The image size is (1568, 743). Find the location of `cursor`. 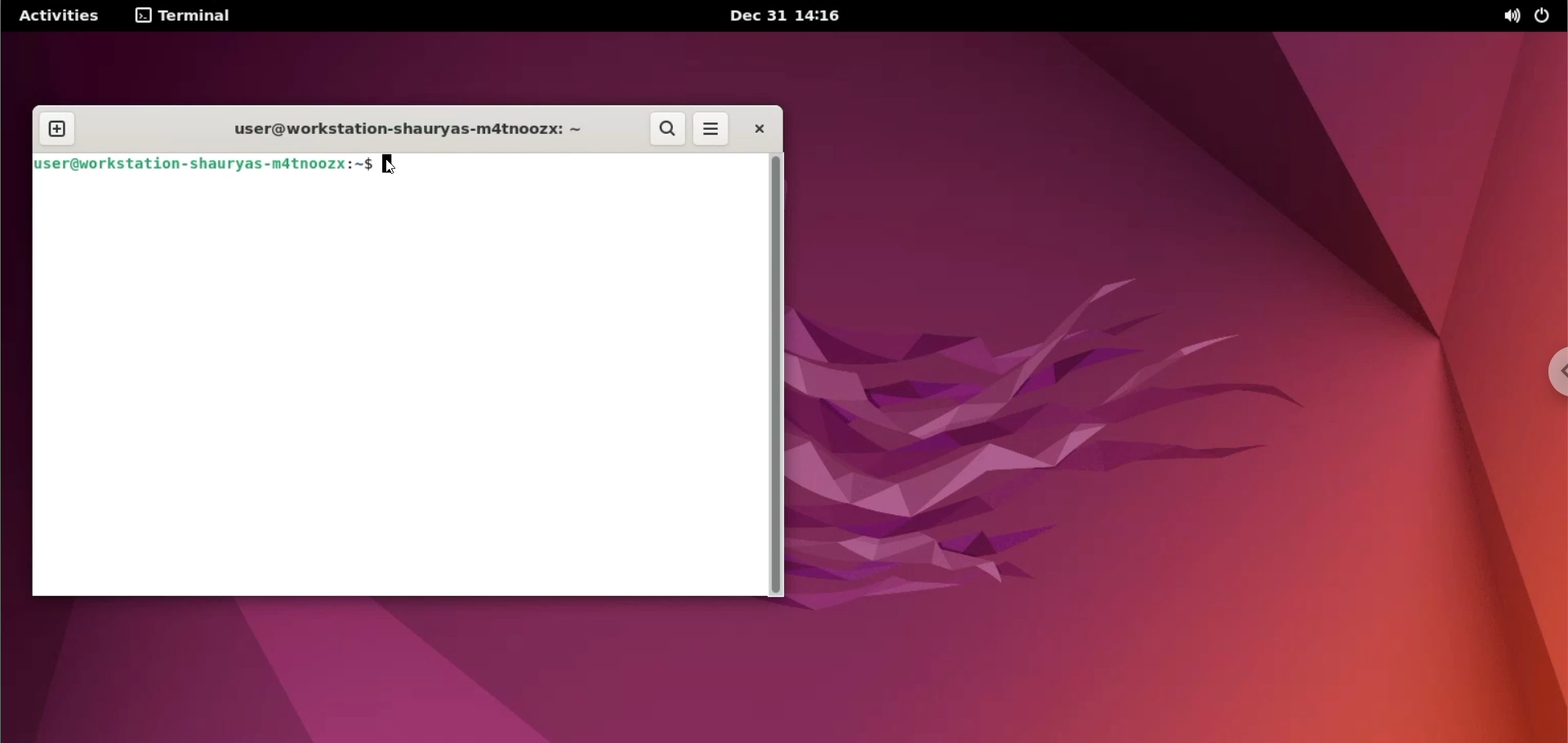

cursor is located at coordinates (391, 165).